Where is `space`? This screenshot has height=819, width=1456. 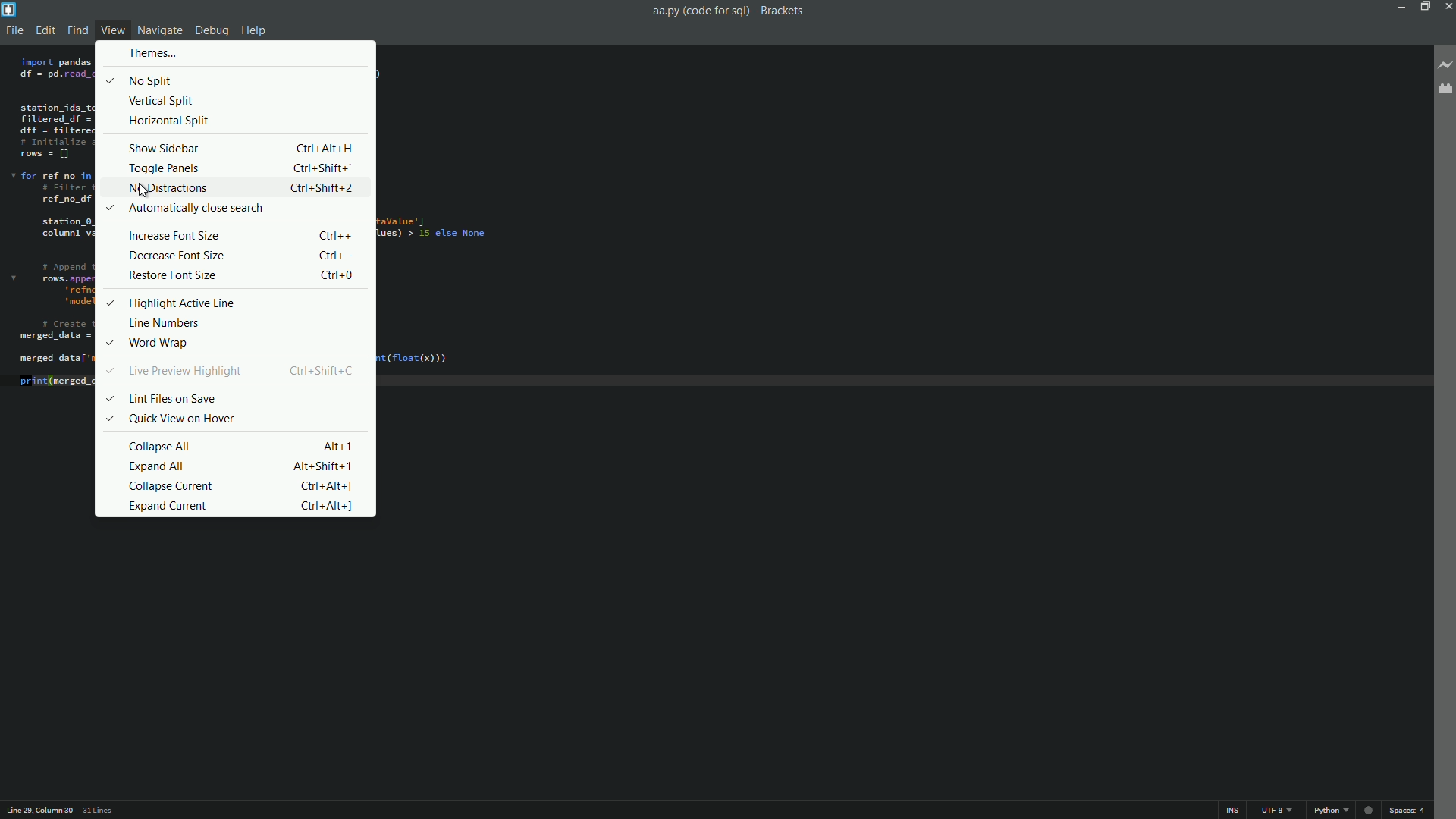
space is located at coordinates (1407, 811).